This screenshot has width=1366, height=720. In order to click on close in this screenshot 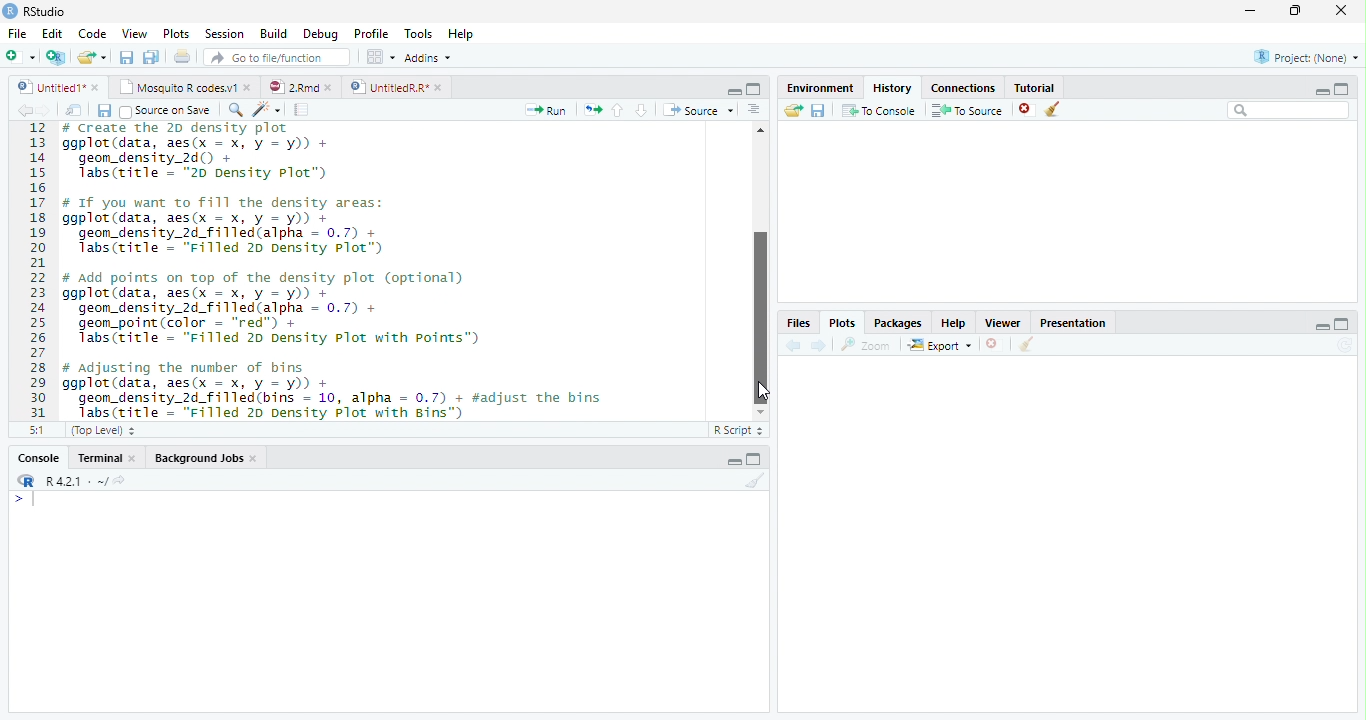, I will do `click(256, 460)`.